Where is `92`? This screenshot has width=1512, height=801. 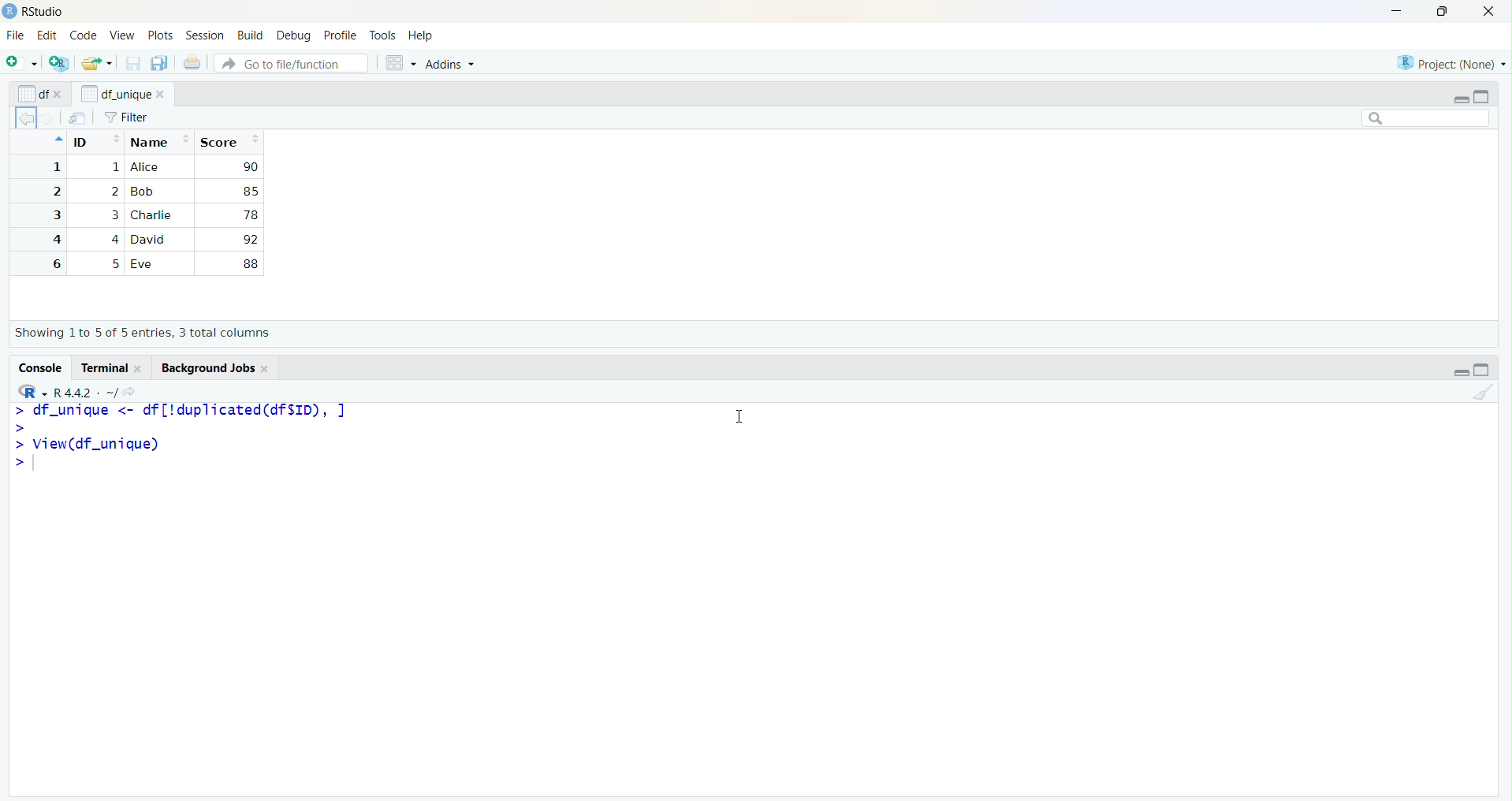 92 is located at coordinates (249, 240).